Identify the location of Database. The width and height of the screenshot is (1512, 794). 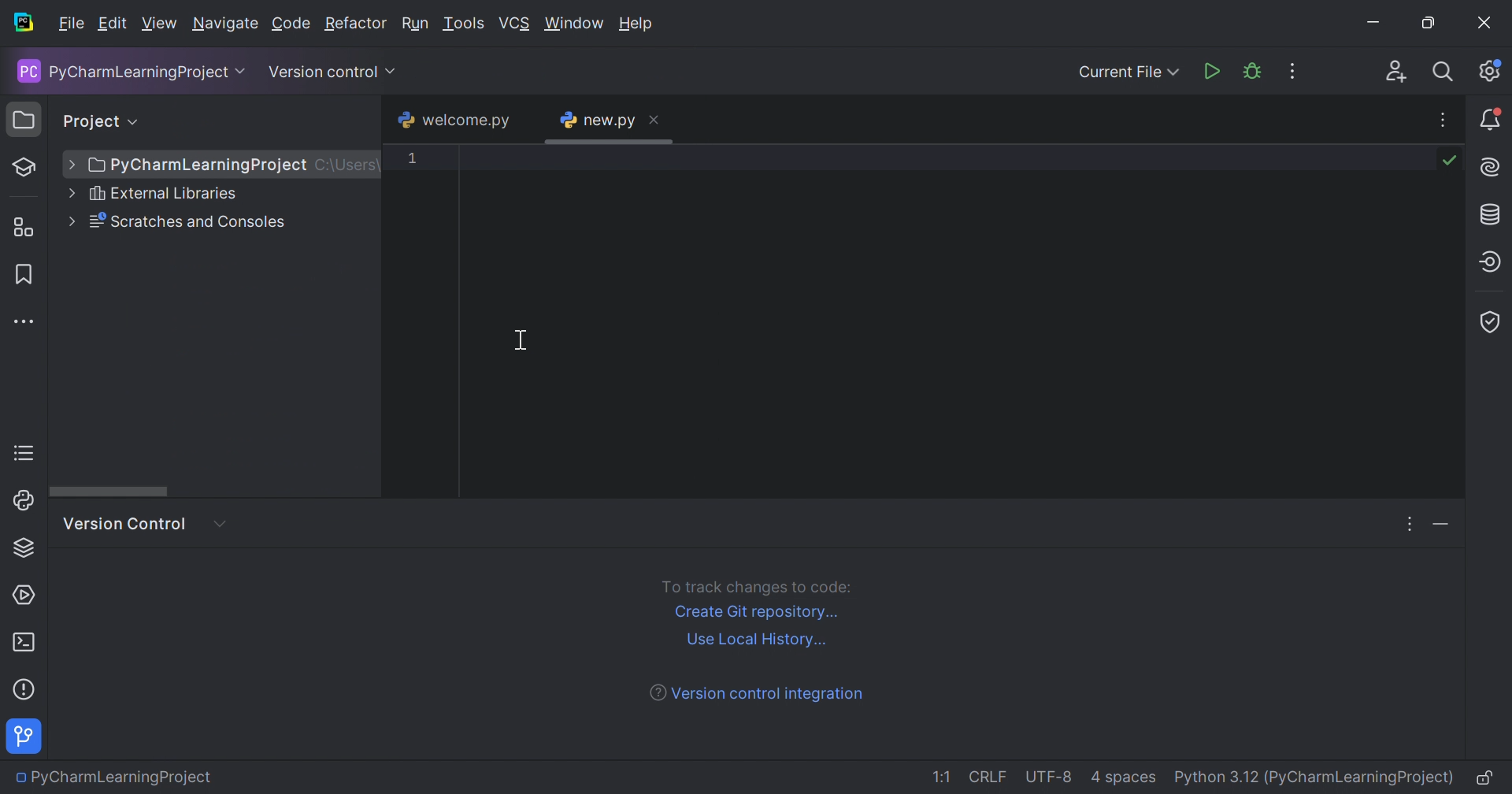
(1492, 213).